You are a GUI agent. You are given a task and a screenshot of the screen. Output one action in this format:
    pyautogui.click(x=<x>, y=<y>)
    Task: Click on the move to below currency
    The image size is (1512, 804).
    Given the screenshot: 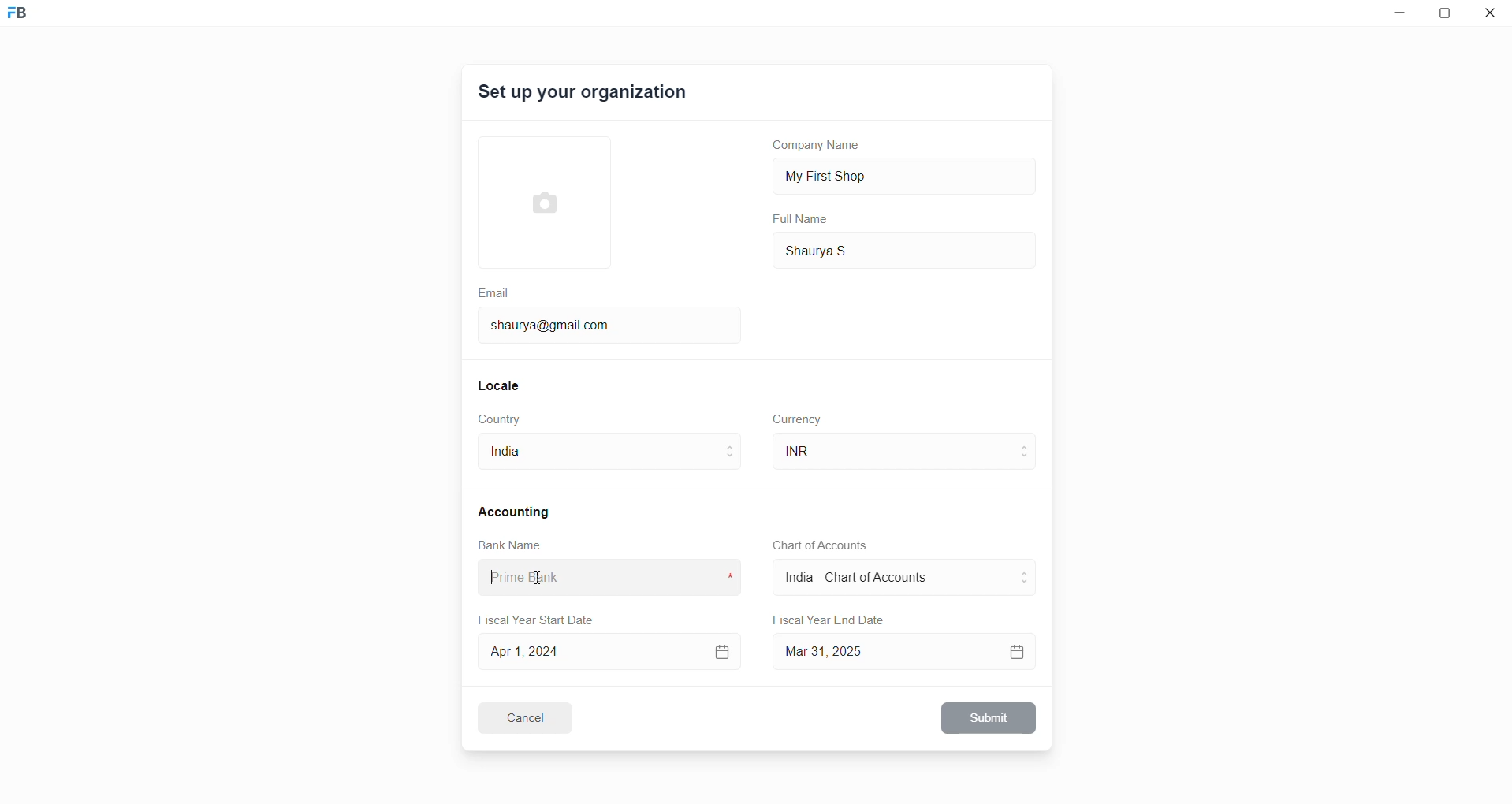 What is the action you would take?
    pyautogui.click(x=1028, y=460)
    